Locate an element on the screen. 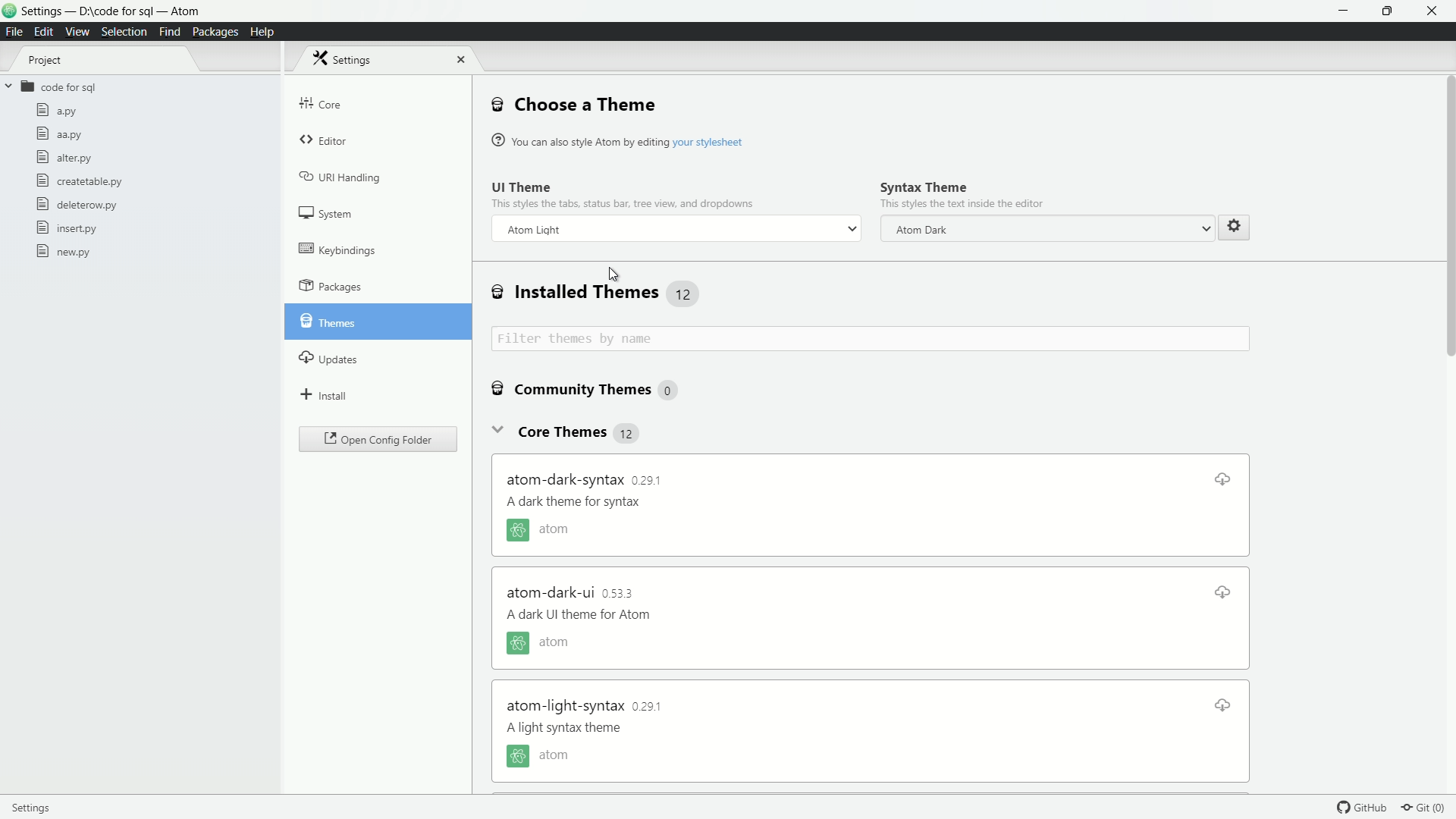  packages menu is located at coordinates (217, 32).